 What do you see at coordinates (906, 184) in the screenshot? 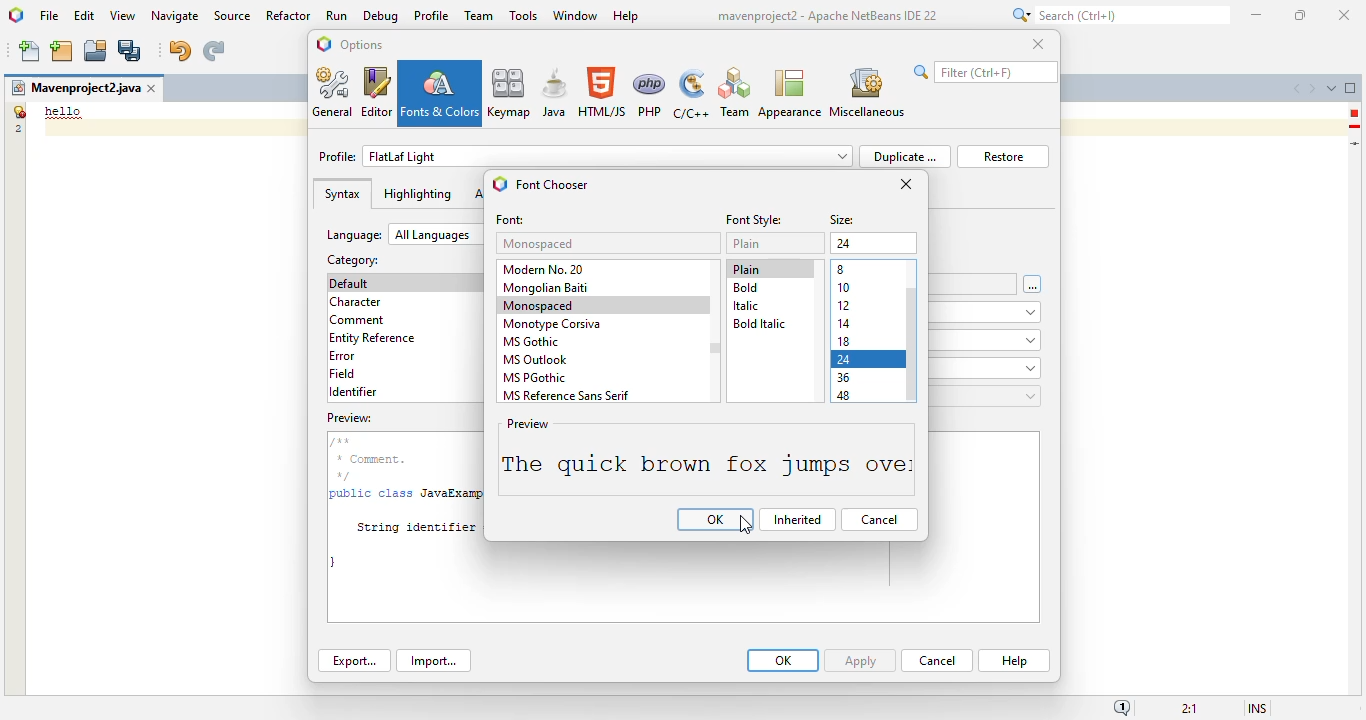
I see `close` at bounding box center [906, 184].